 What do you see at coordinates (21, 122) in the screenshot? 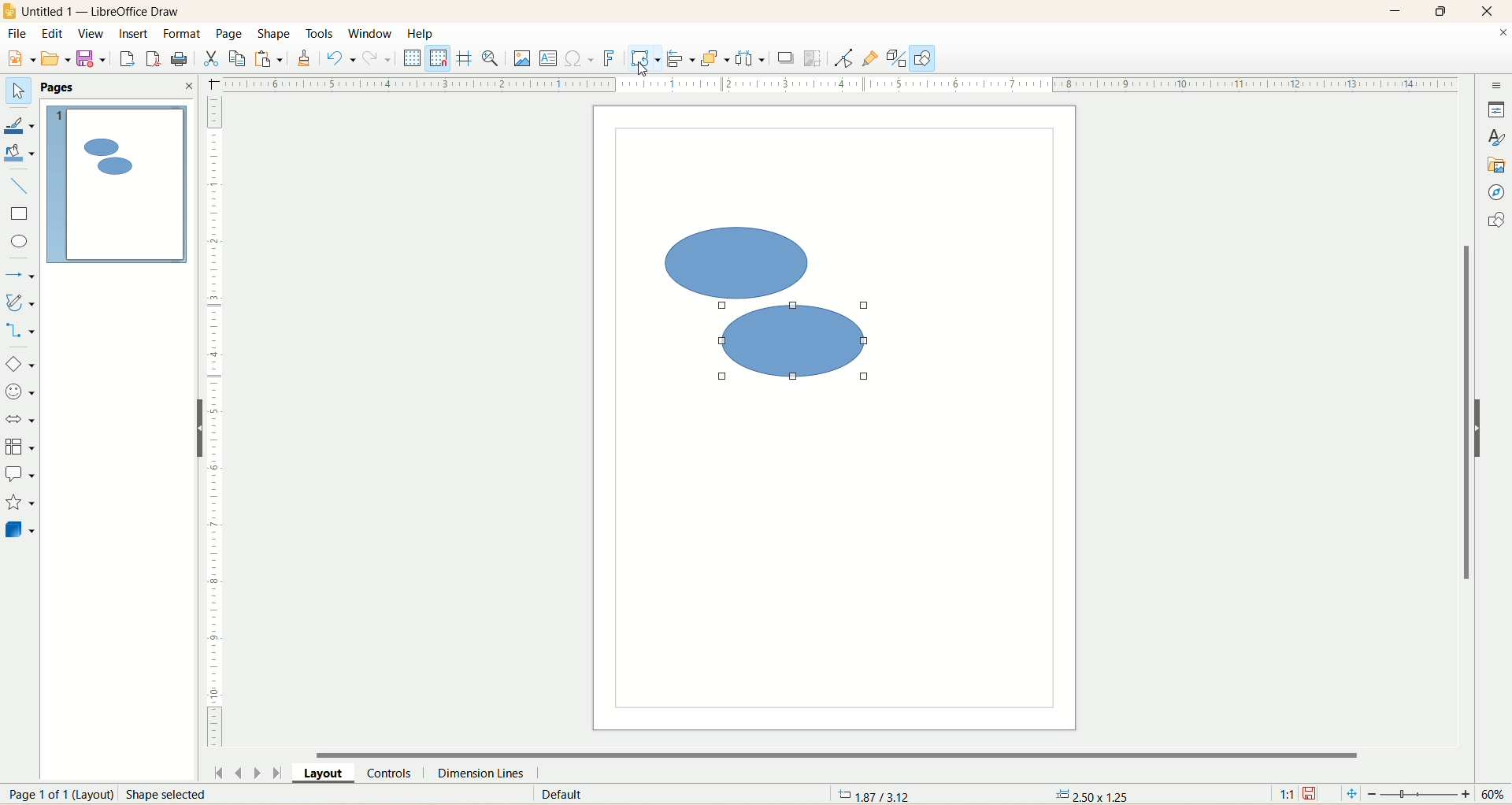
I see `line color` at bounding box center [21, 122].